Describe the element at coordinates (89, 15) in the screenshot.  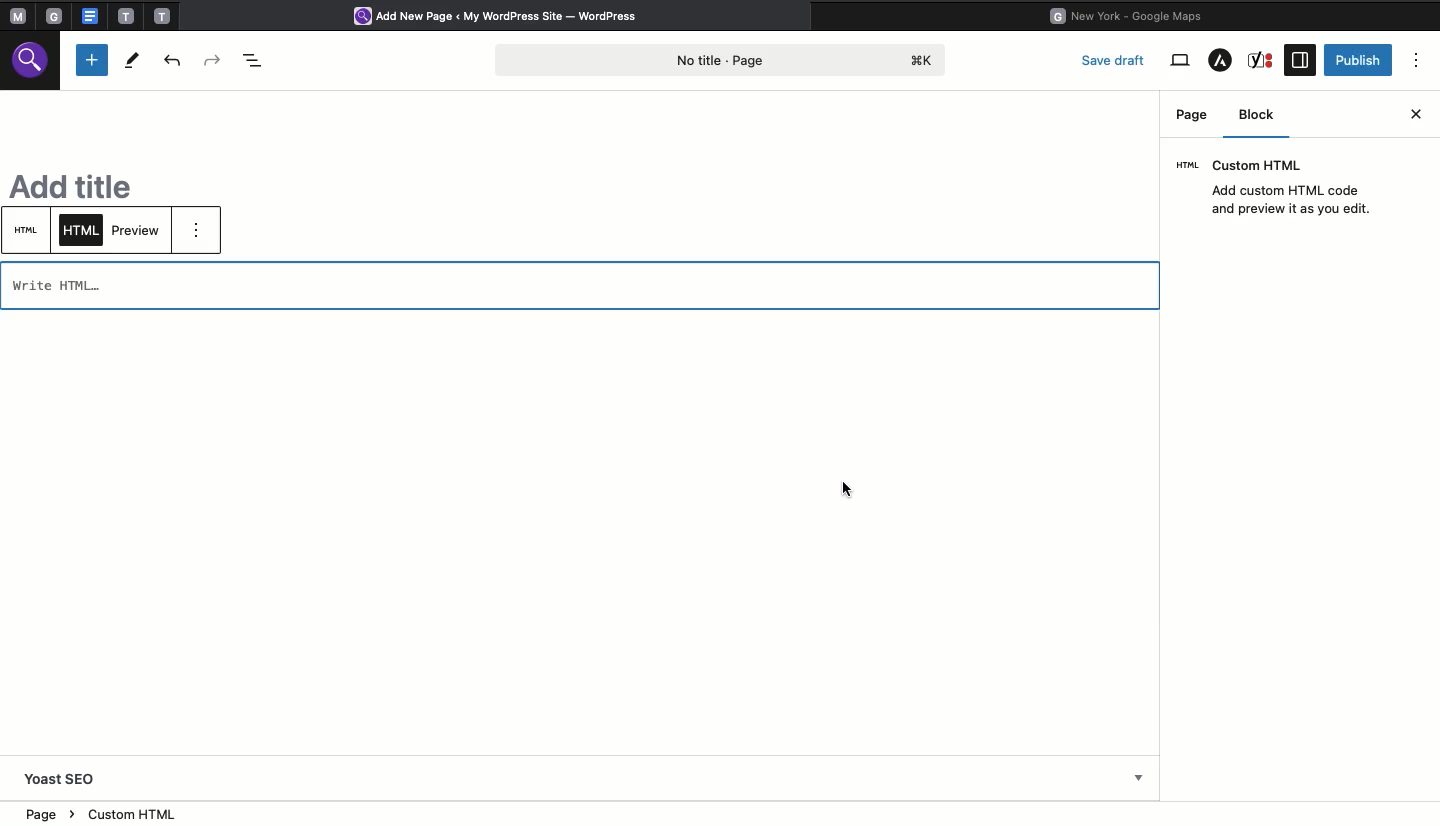
I see `google doc` at that location.